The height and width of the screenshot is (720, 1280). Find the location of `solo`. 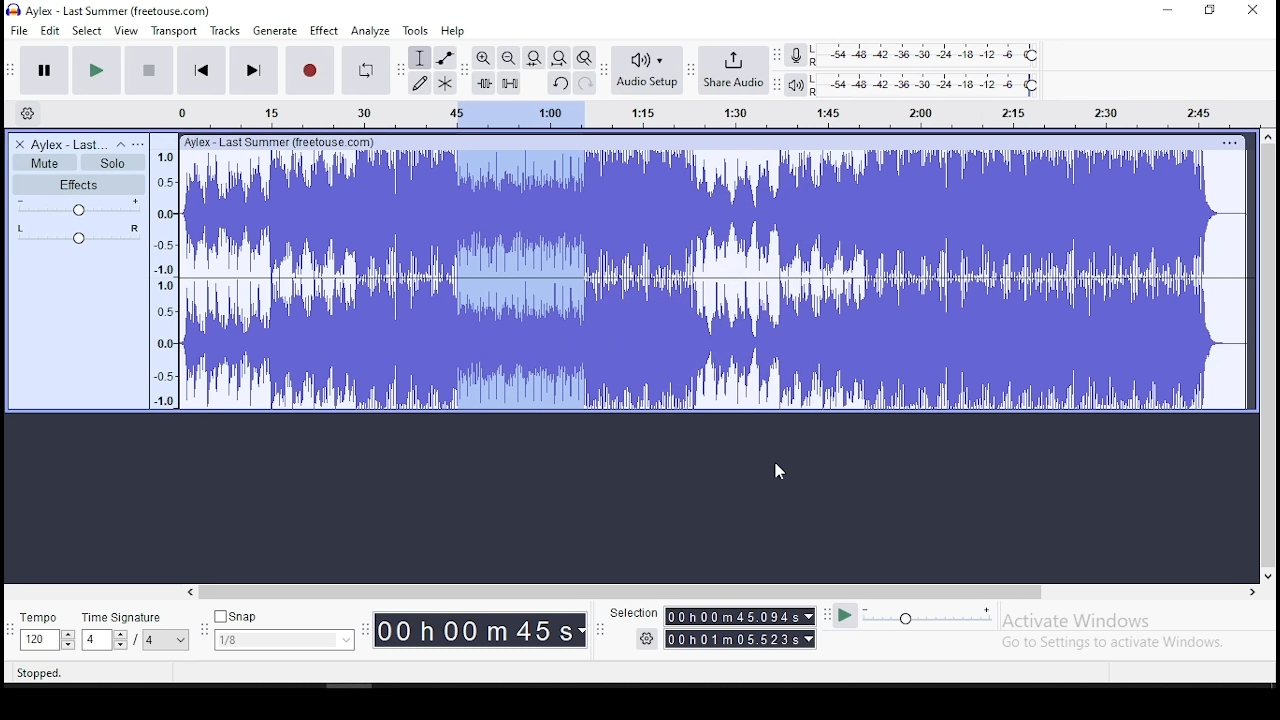

solo is located at coordinates (112, 163).